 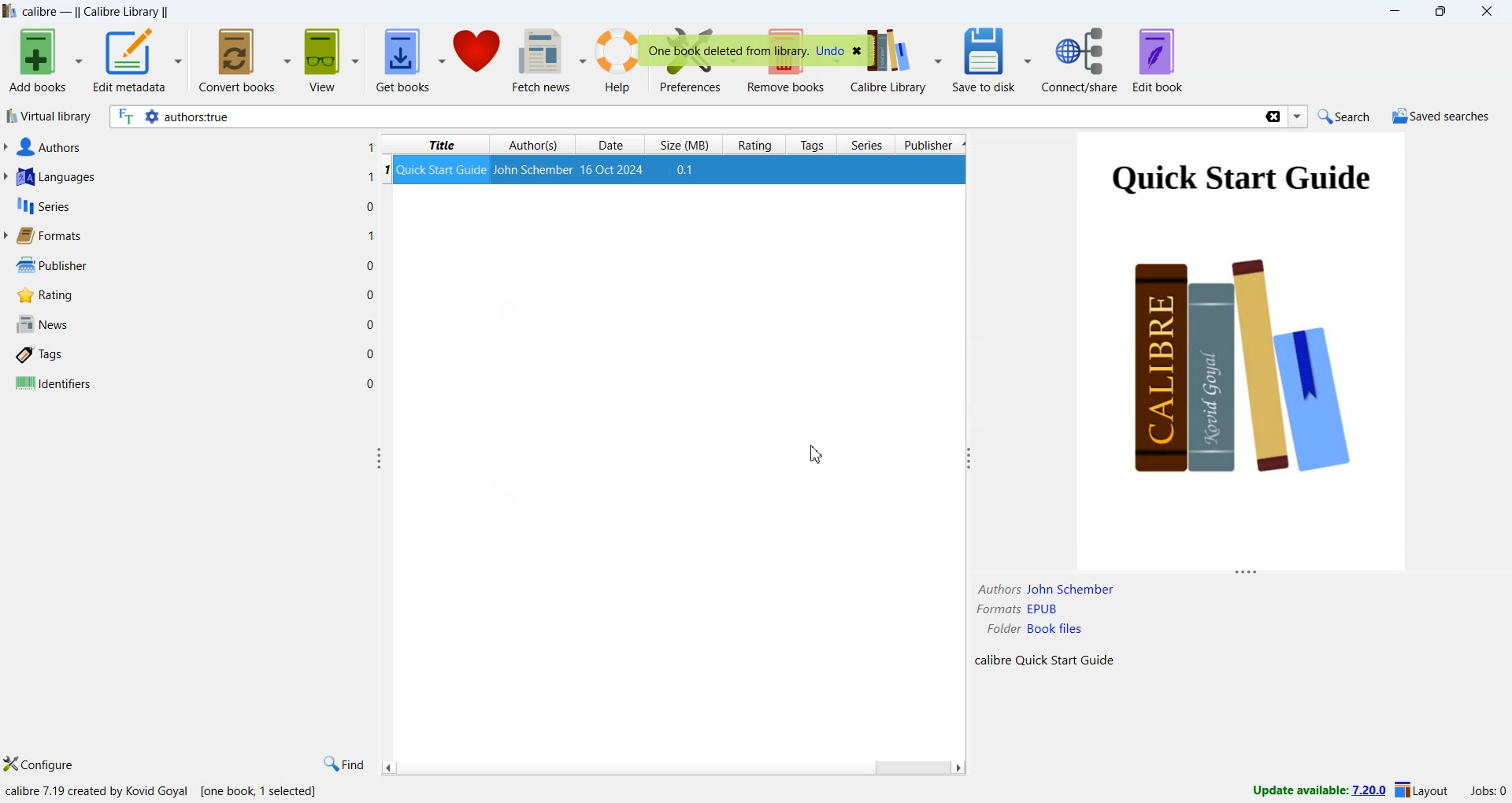 What do you see at coordinates (1158, 60) in the screenshot?
I see `edit book` at bounding box center [1158, 60].